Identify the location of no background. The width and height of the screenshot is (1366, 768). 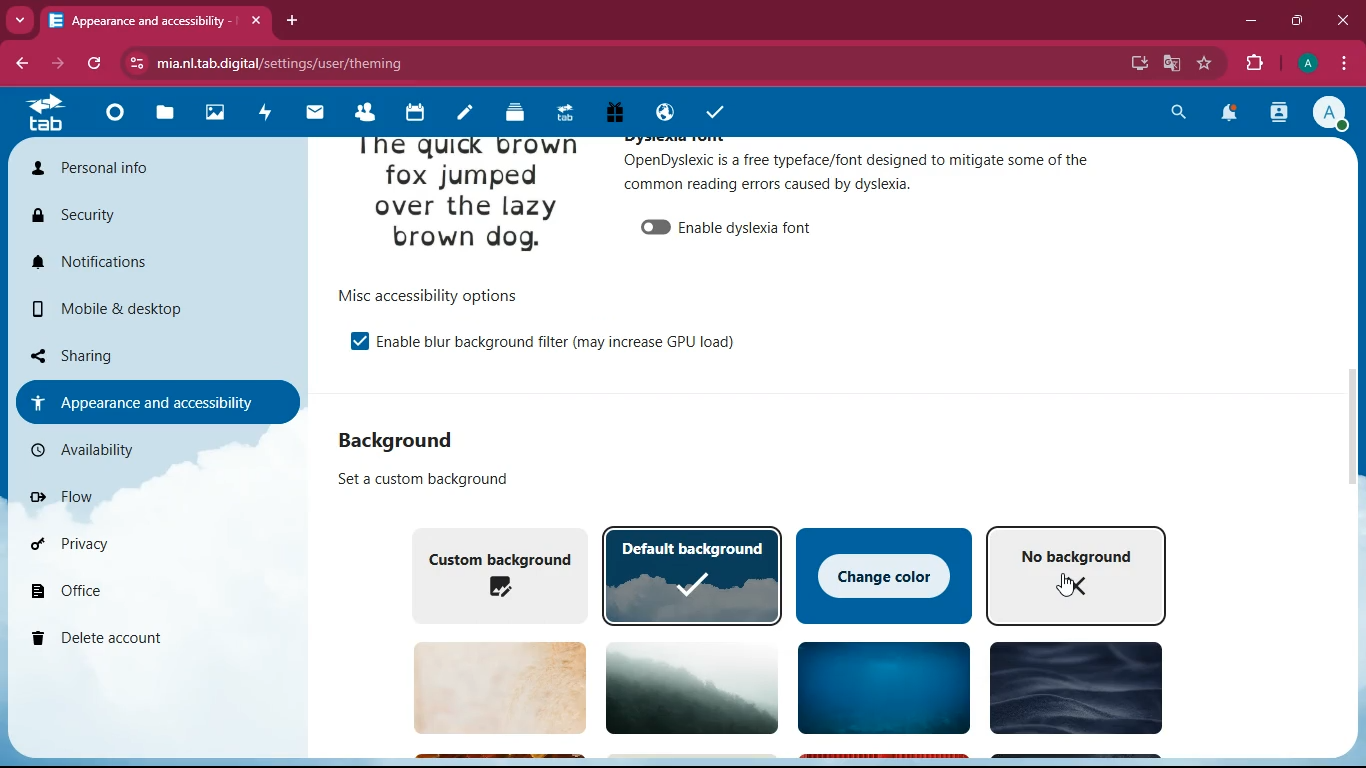
(1077, 574).